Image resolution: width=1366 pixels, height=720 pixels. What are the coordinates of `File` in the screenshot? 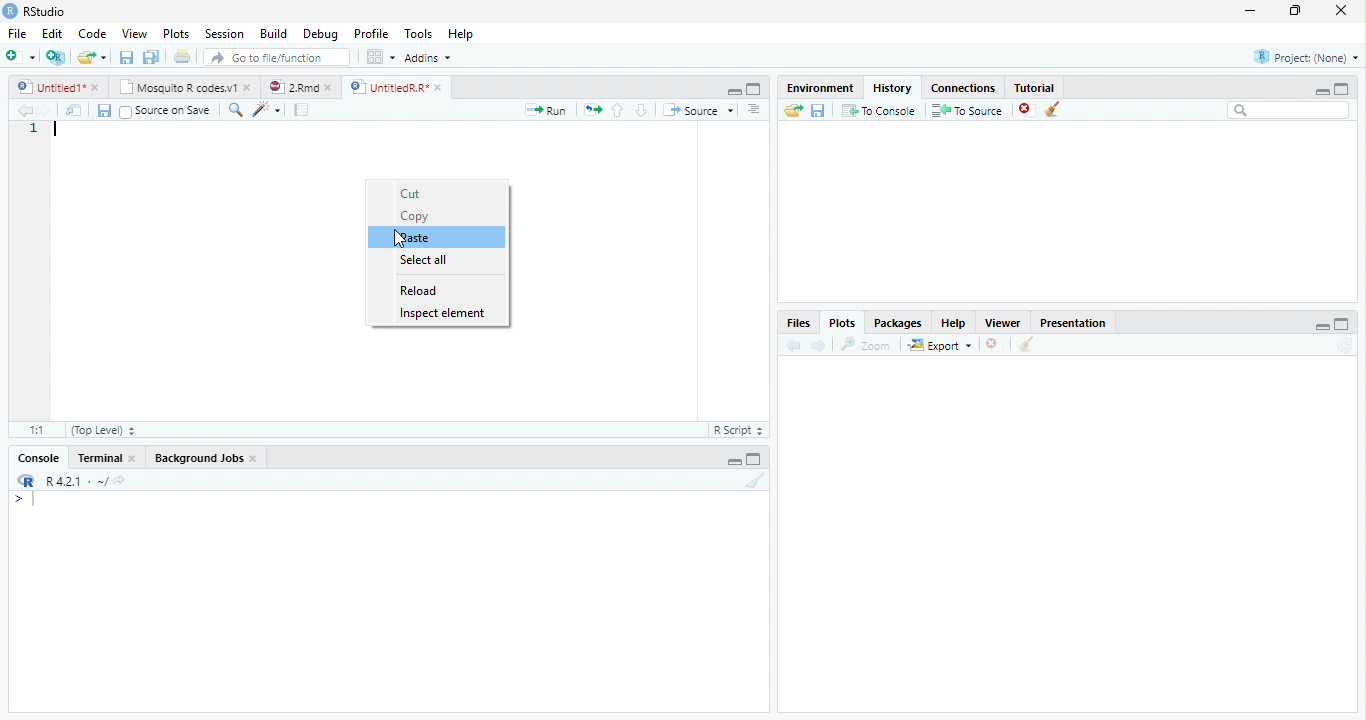 It's located at (17, 35).